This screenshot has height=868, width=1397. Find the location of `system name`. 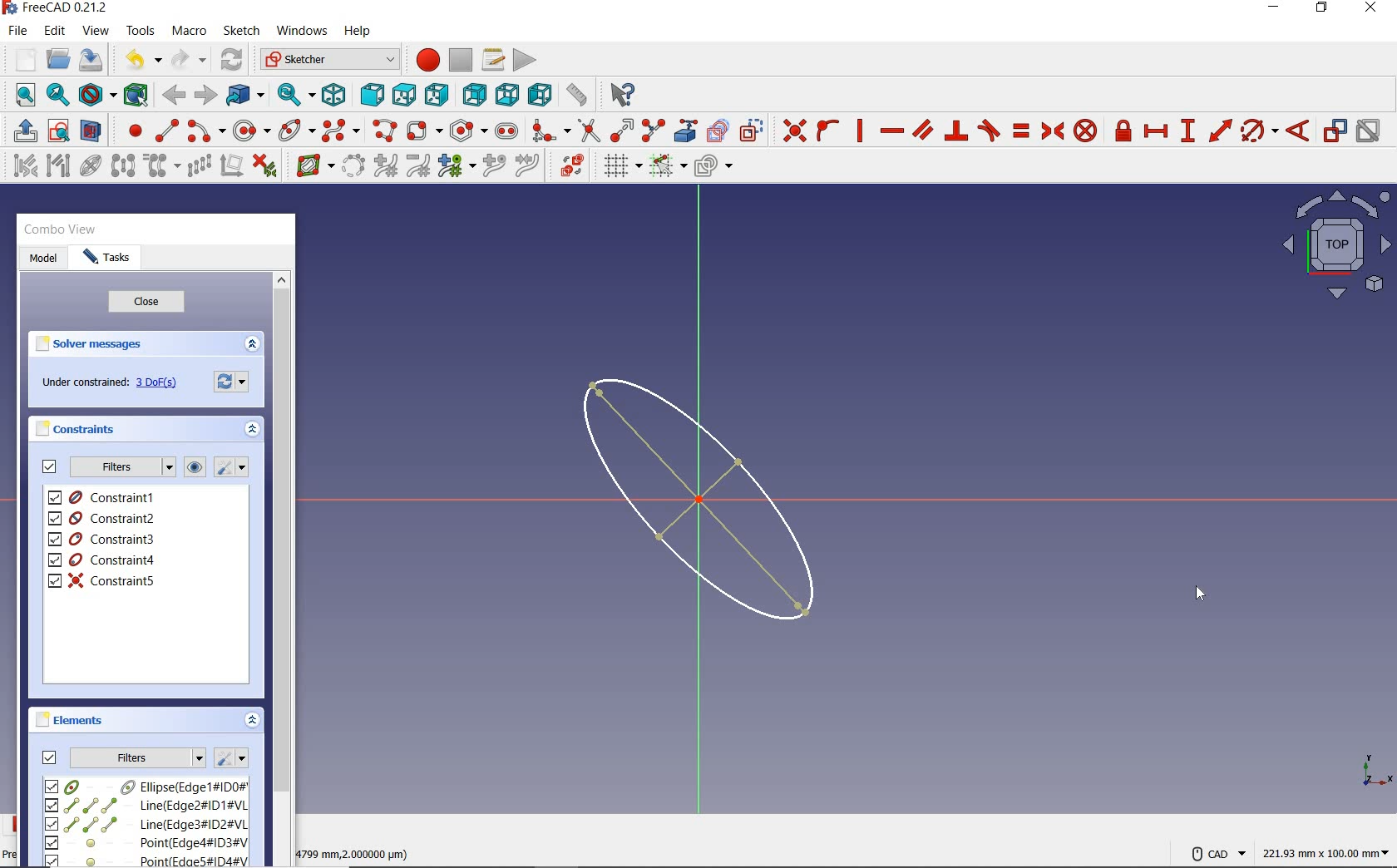

system name is located at coordinates (56, 8).